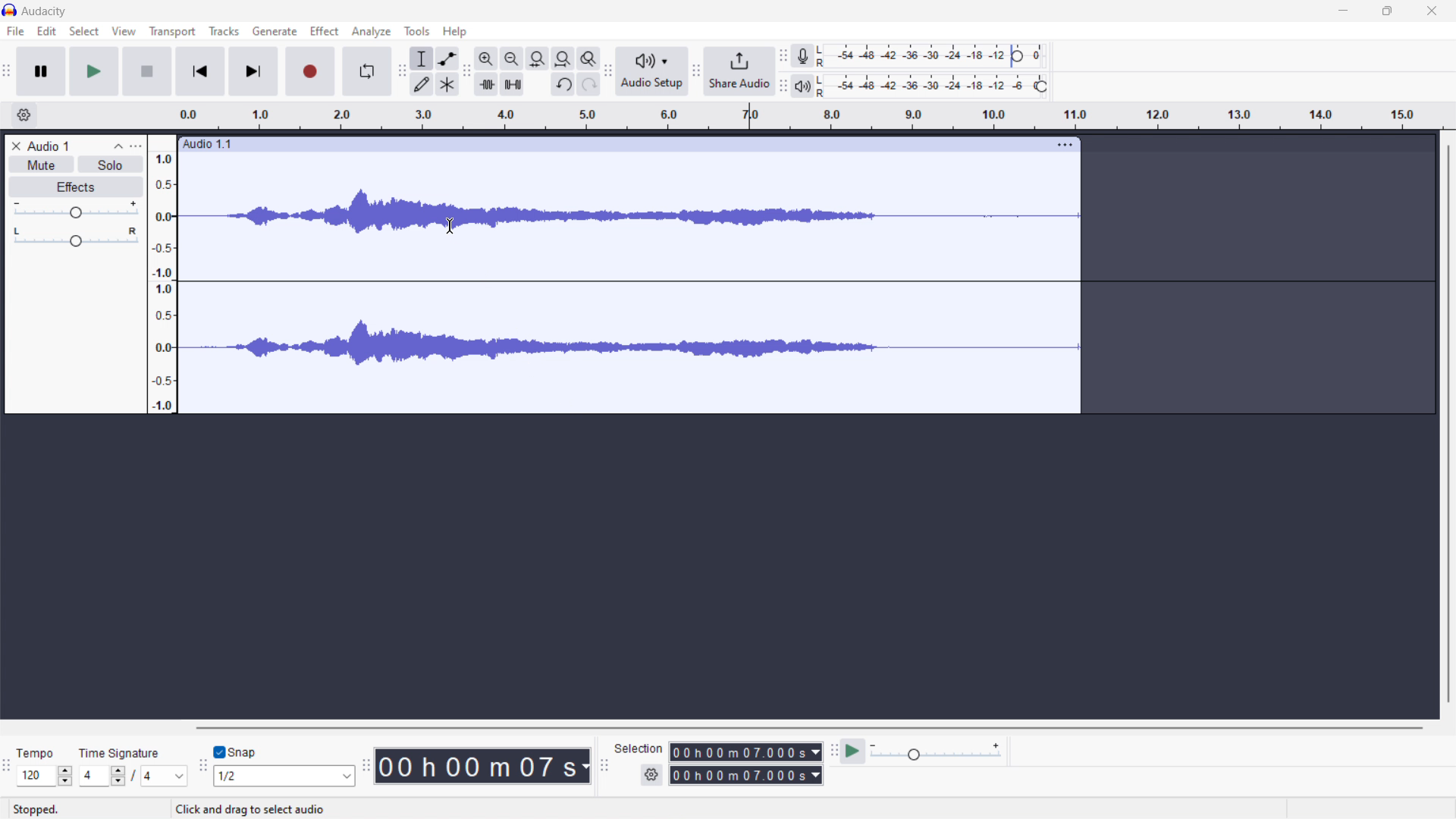 This screenshot has height=819, width=1456. Describe the element at coordinates (47, 30) in the screenshot. I see `edit` at that location.